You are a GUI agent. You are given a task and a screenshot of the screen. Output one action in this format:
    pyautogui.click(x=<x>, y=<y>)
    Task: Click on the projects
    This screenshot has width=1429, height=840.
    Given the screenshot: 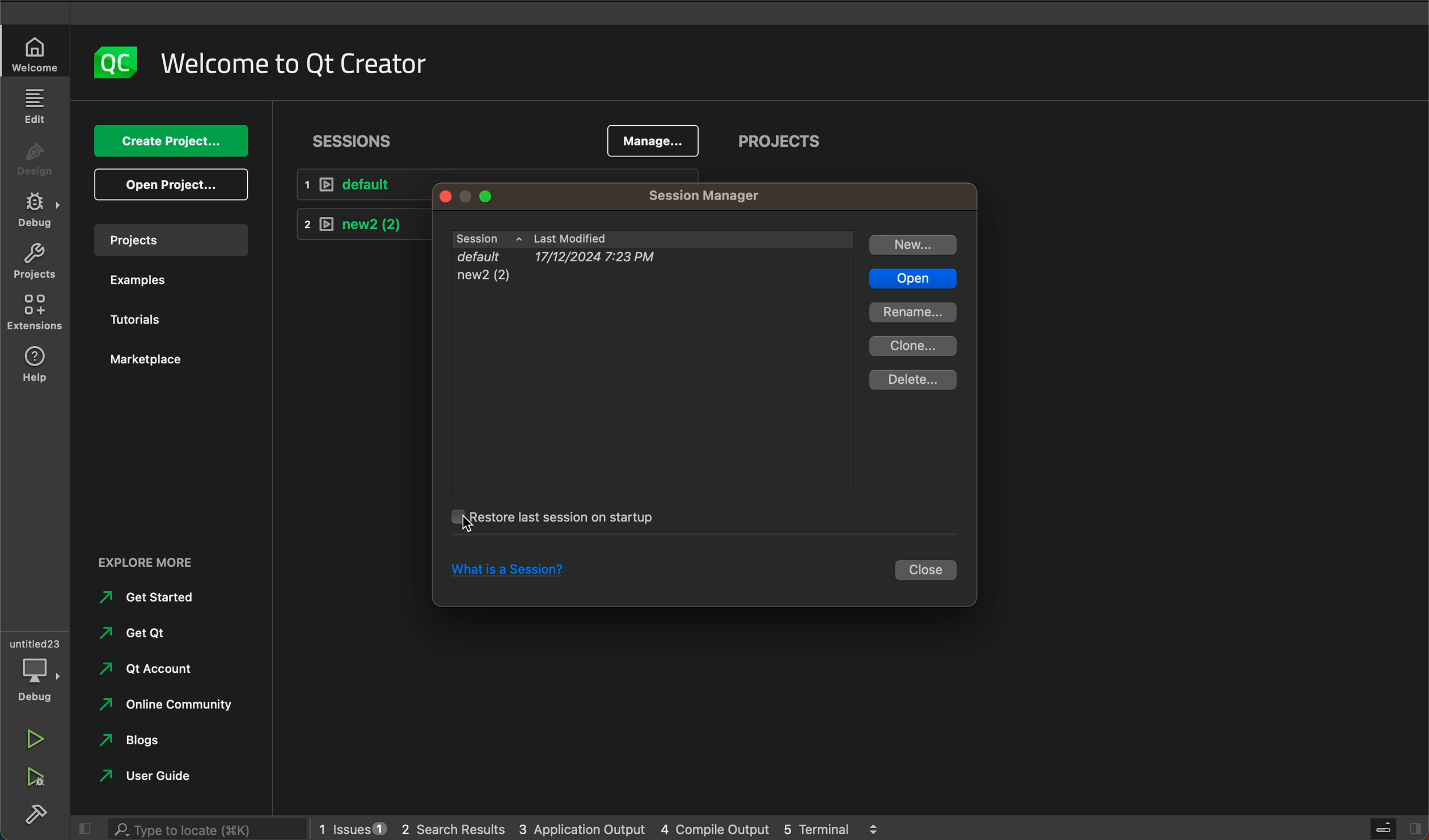 What is the action you would take?
    pyautogui.click(x=785, y=141)
    